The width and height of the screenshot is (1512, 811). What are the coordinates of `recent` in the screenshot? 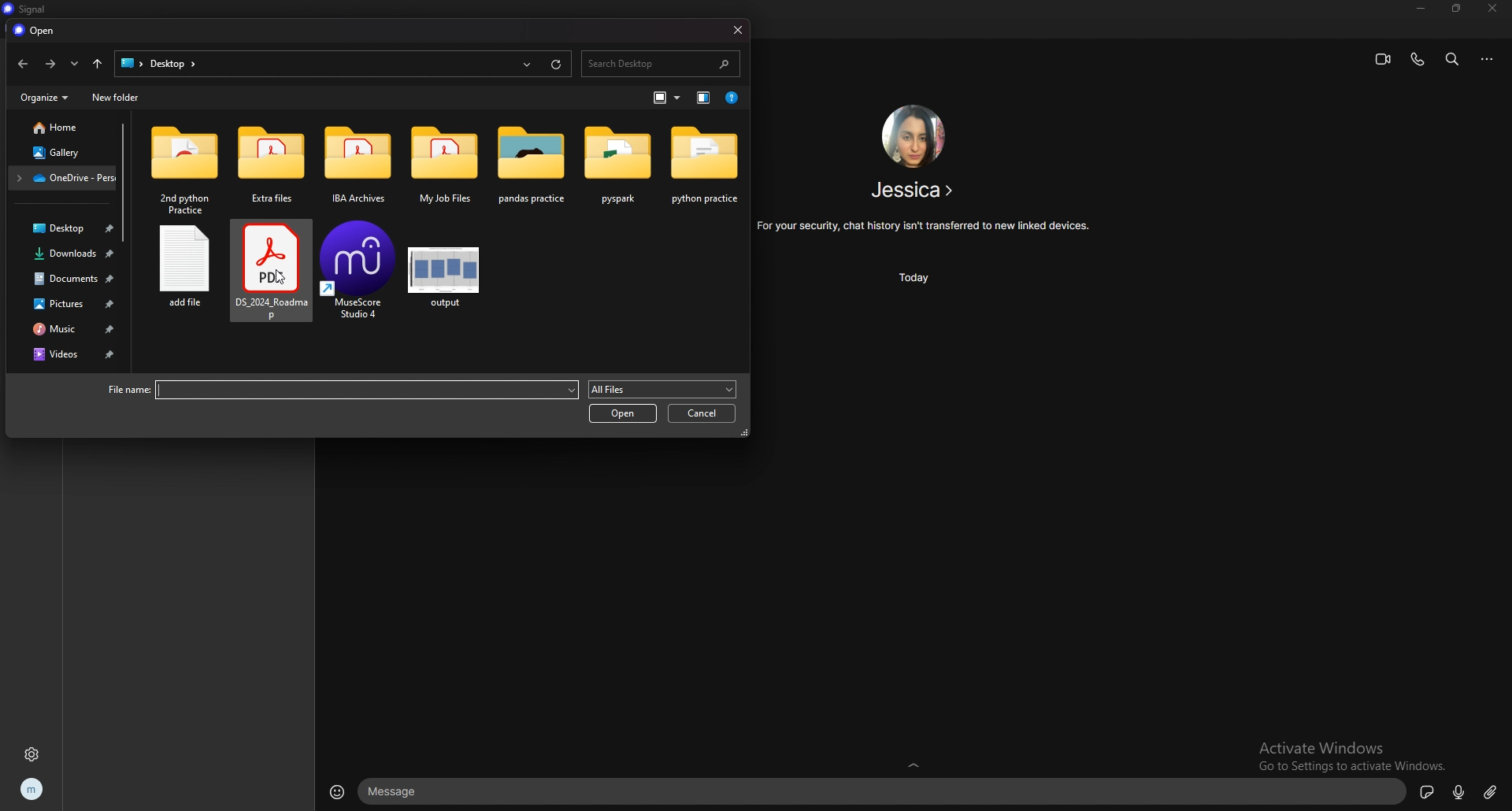 It's located at (528, 63).